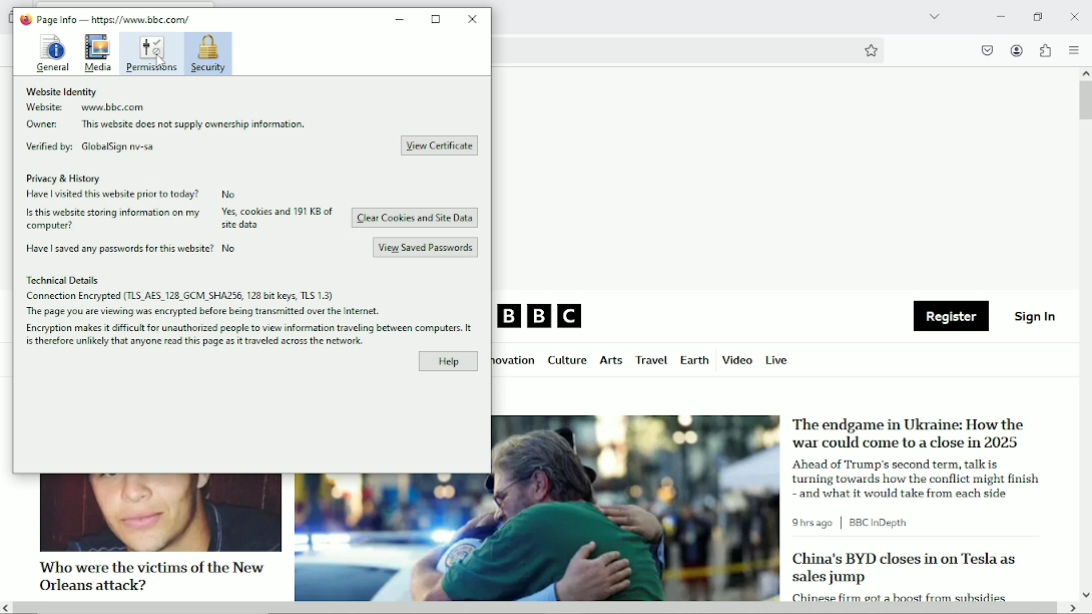 The image size is (1092, 614). Describe the element at coordinates (649, 360) in the screenshot. I see `Travel` at that location.